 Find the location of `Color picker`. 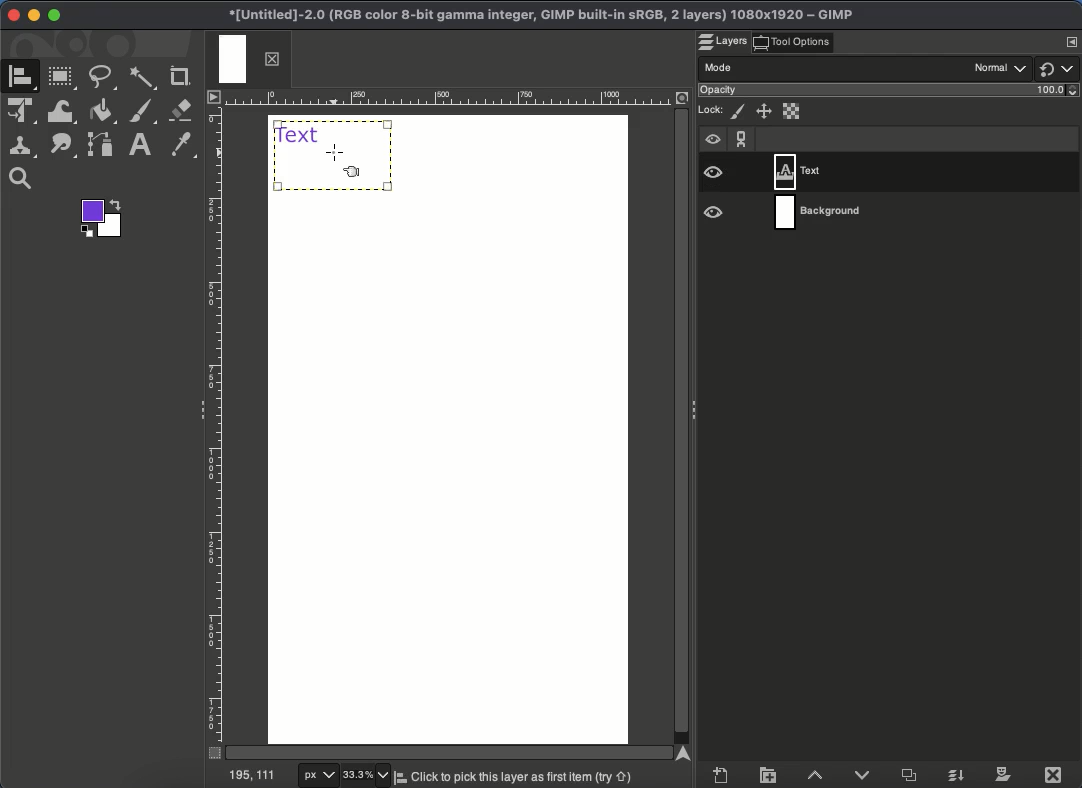

Color picker is located at coordinates (185, 146).